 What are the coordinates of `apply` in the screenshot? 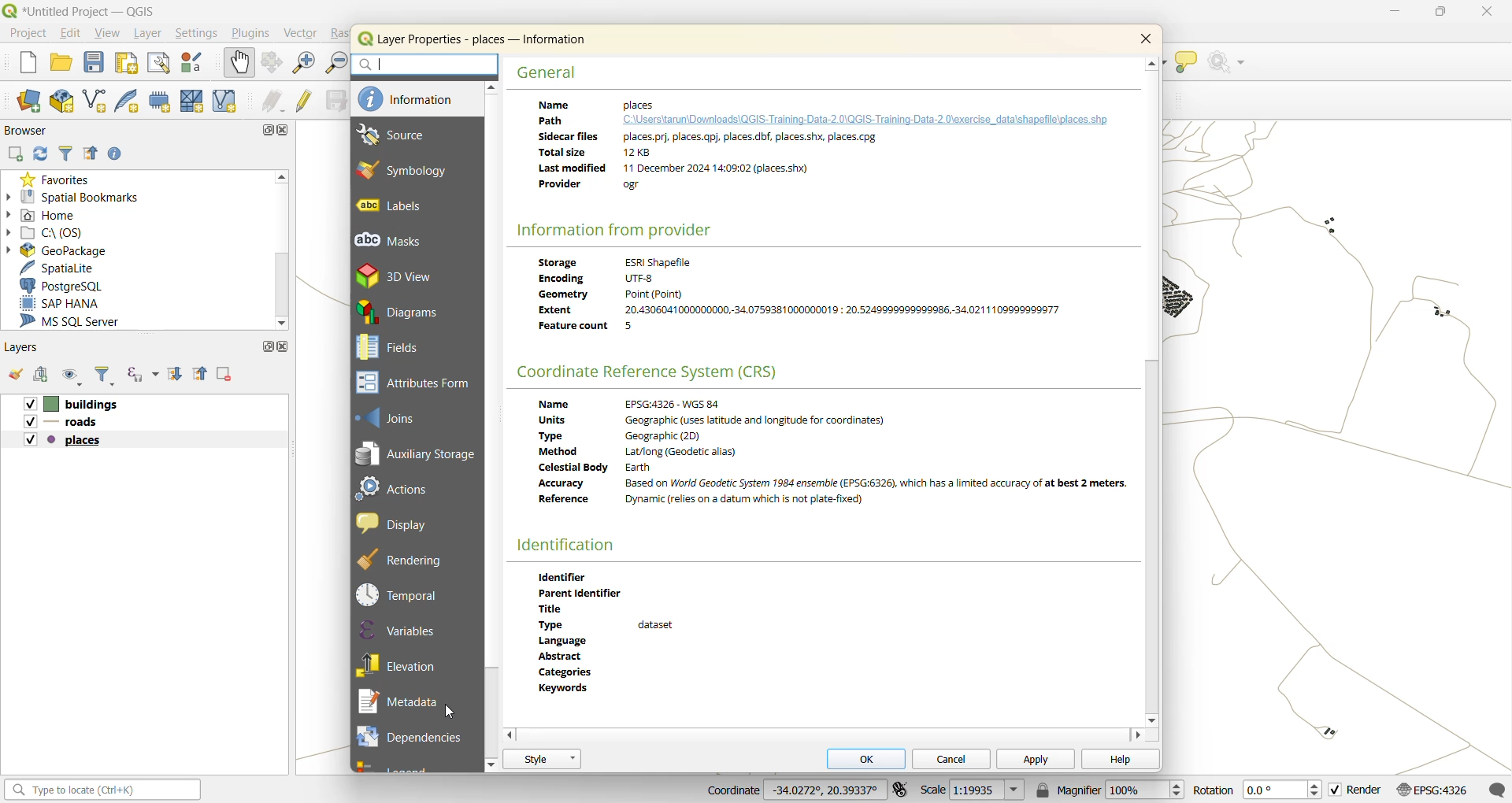 It's located at (1035, 757).